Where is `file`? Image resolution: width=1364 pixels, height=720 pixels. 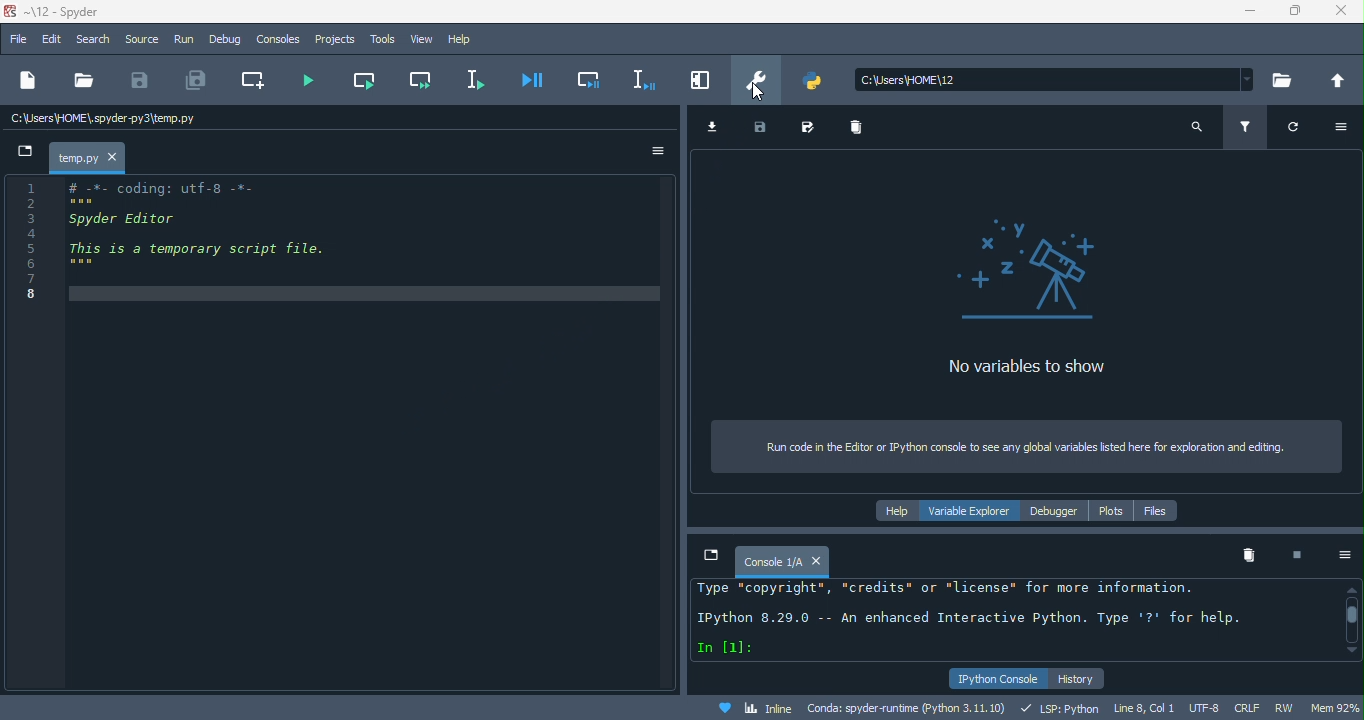 file is located at coordinates (20, 41).